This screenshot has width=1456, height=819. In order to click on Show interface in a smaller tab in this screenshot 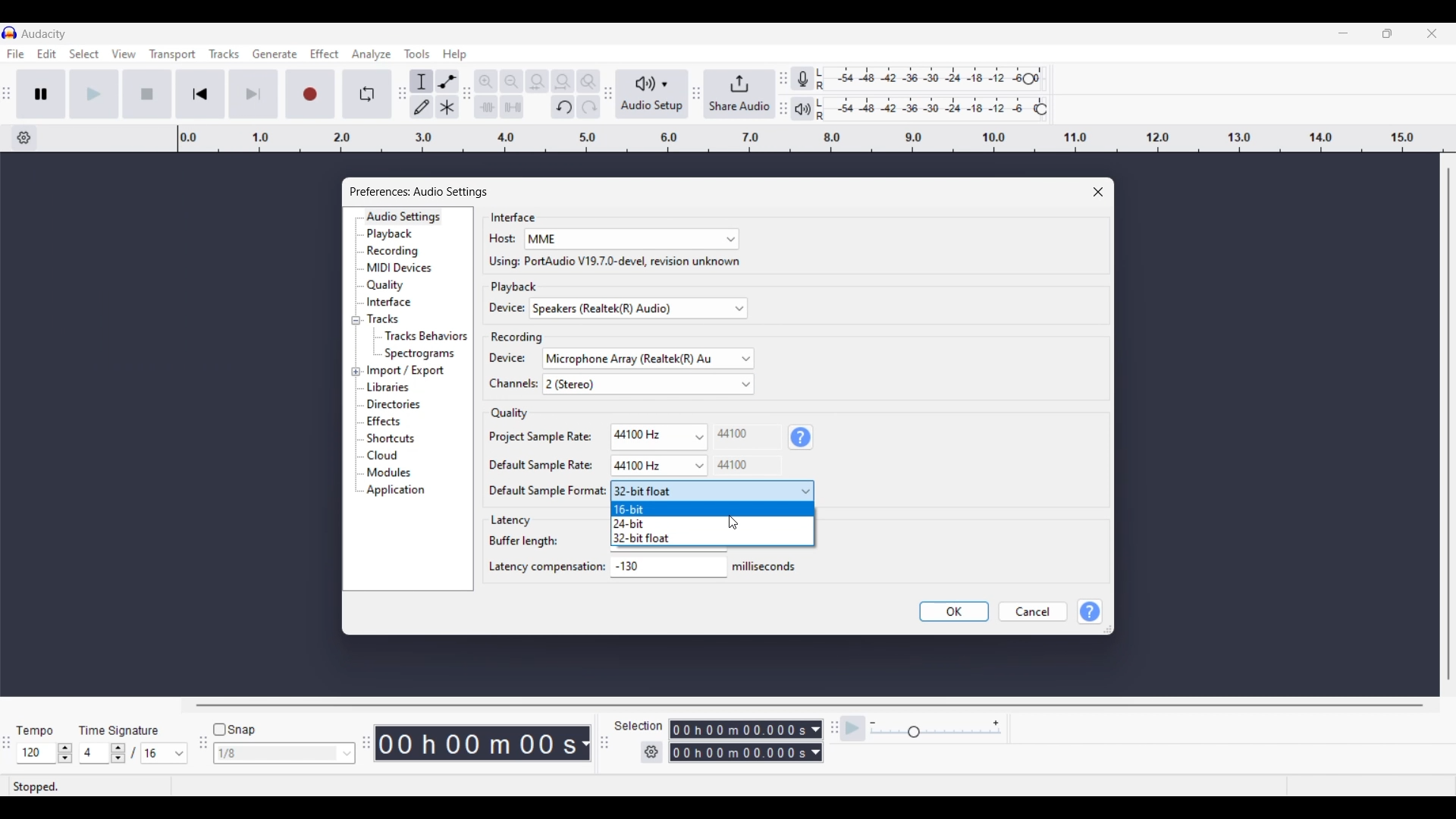, I will do `click(1387, 33)`.